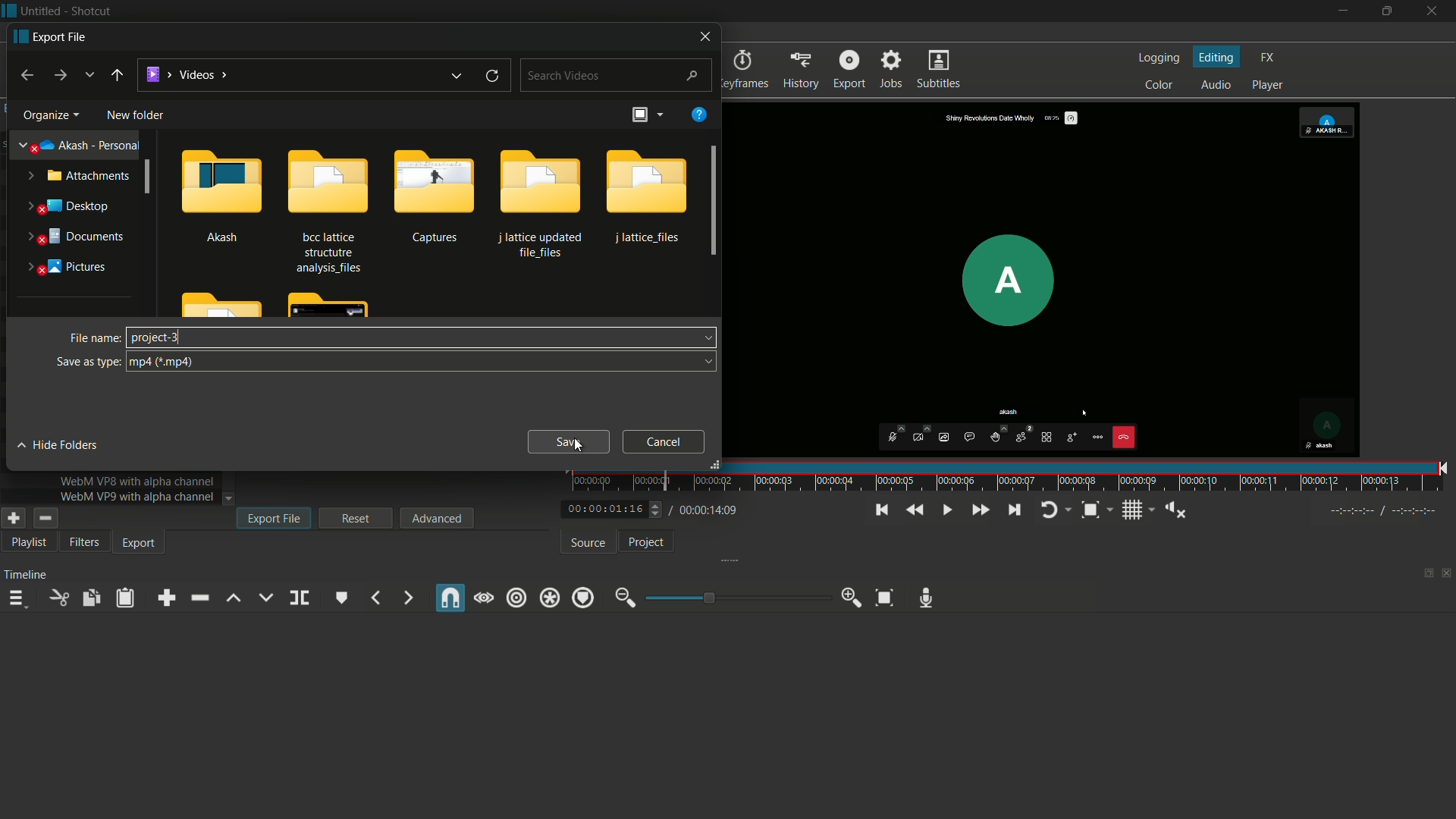 The width and height of the screenshot is (1456, 819). I want to click on zoom timeline to fit, so click(885, 598).